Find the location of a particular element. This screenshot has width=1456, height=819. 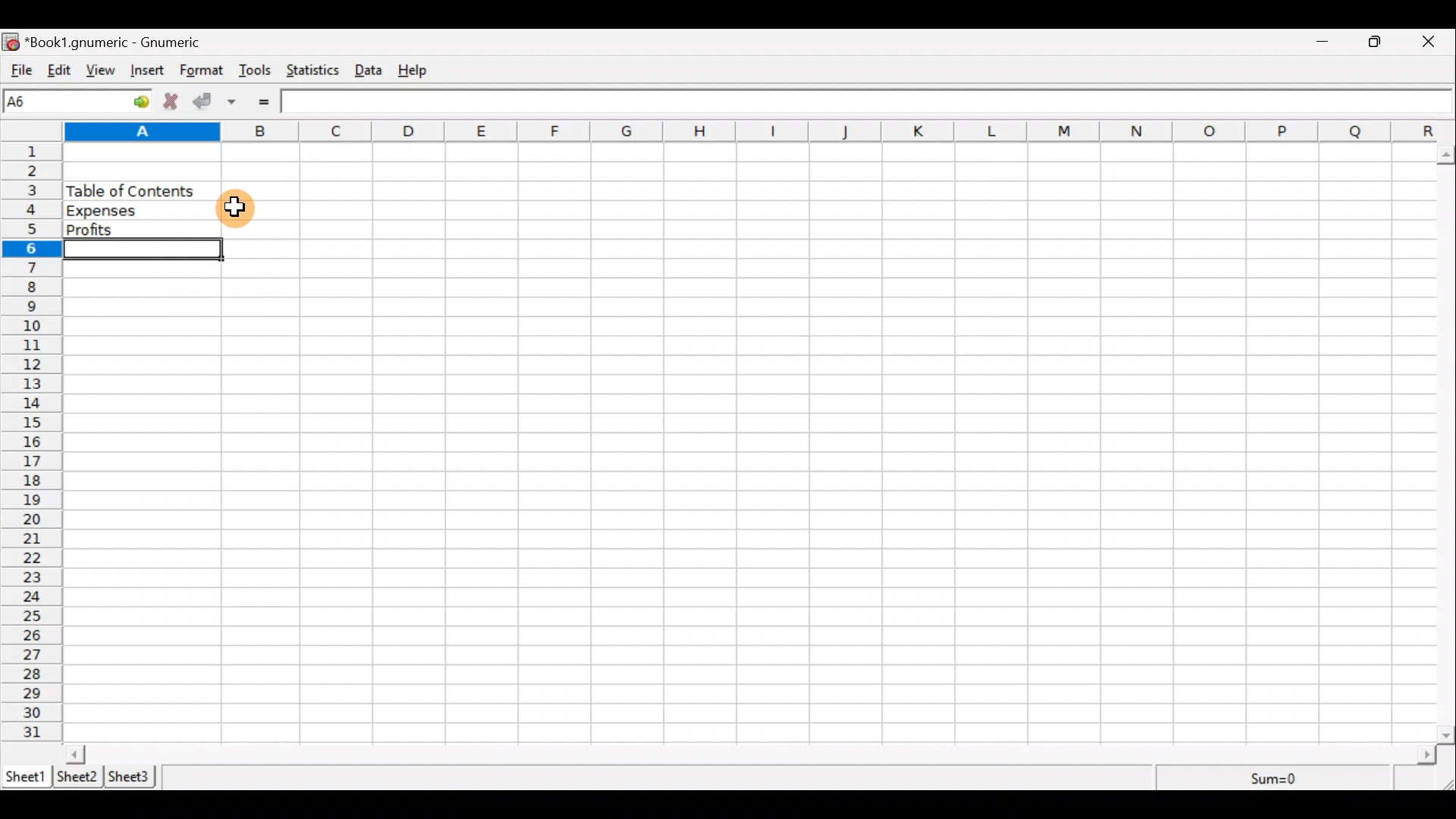

Statistics is located at coordinates (315, 72).